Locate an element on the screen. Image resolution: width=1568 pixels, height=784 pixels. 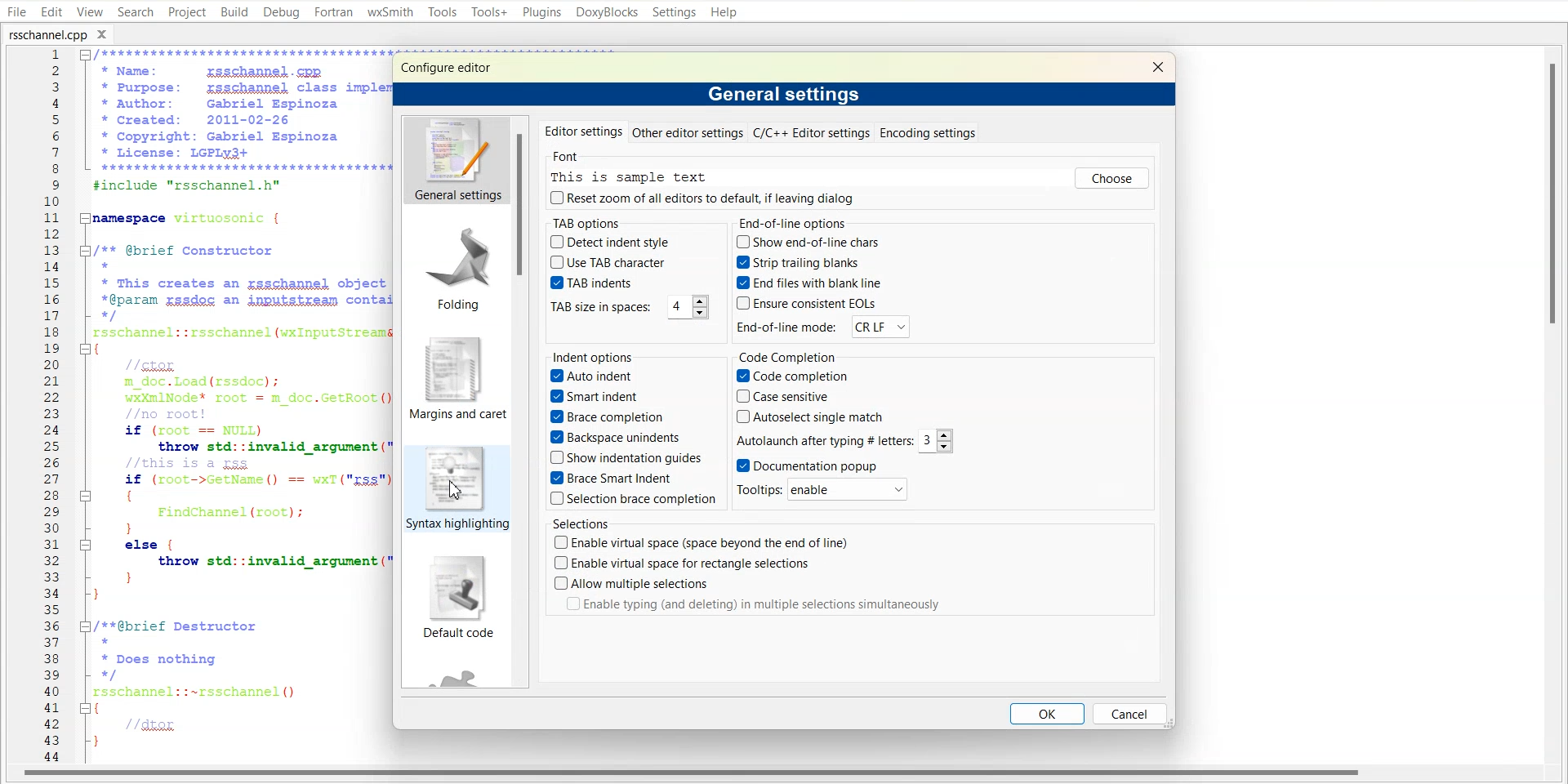
Settings is located at coordinates (675, 11).